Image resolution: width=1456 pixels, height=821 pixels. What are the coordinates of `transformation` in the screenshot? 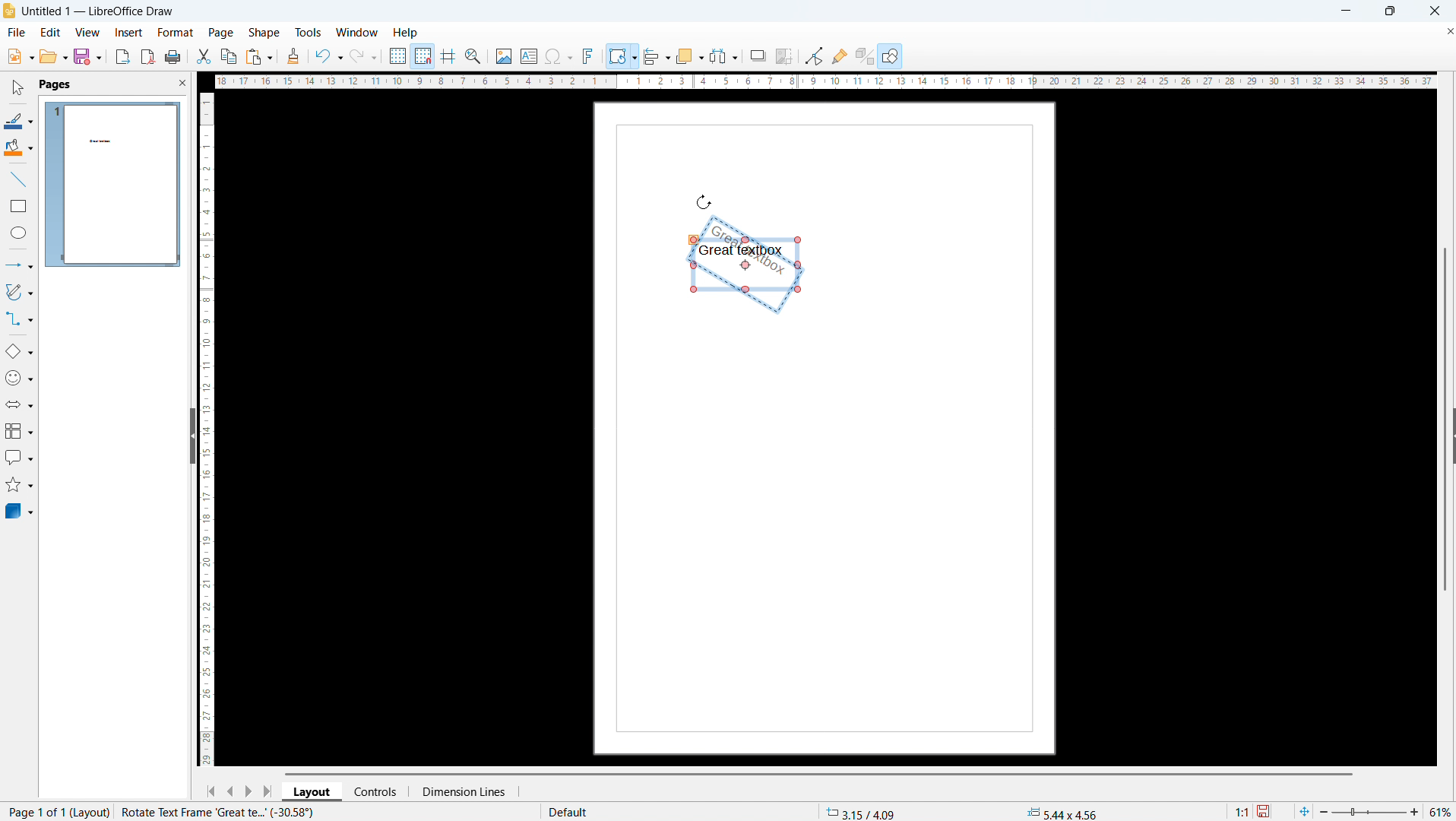 It's located at (622, 55).